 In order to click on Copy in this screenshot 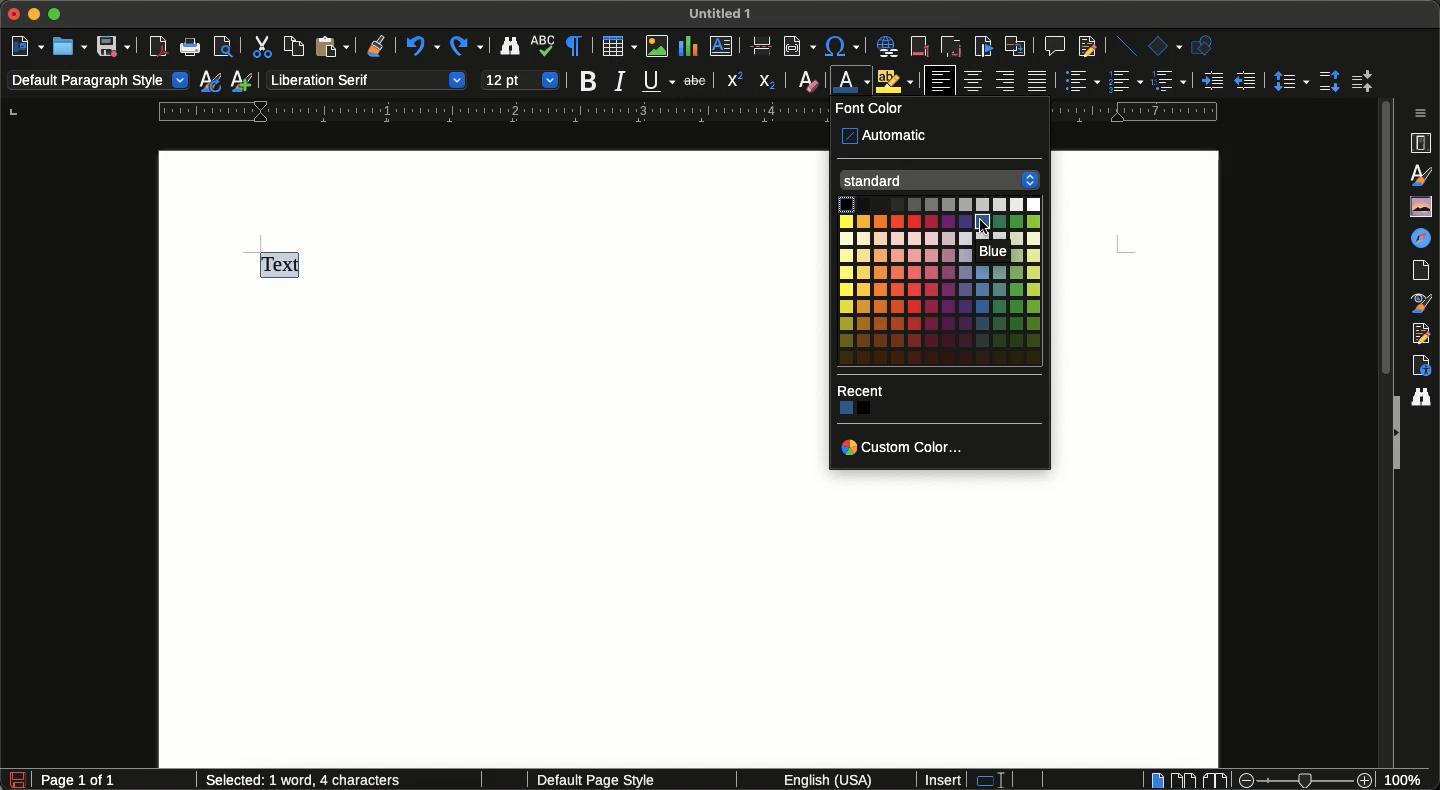, I will do `click(291, 46)`.